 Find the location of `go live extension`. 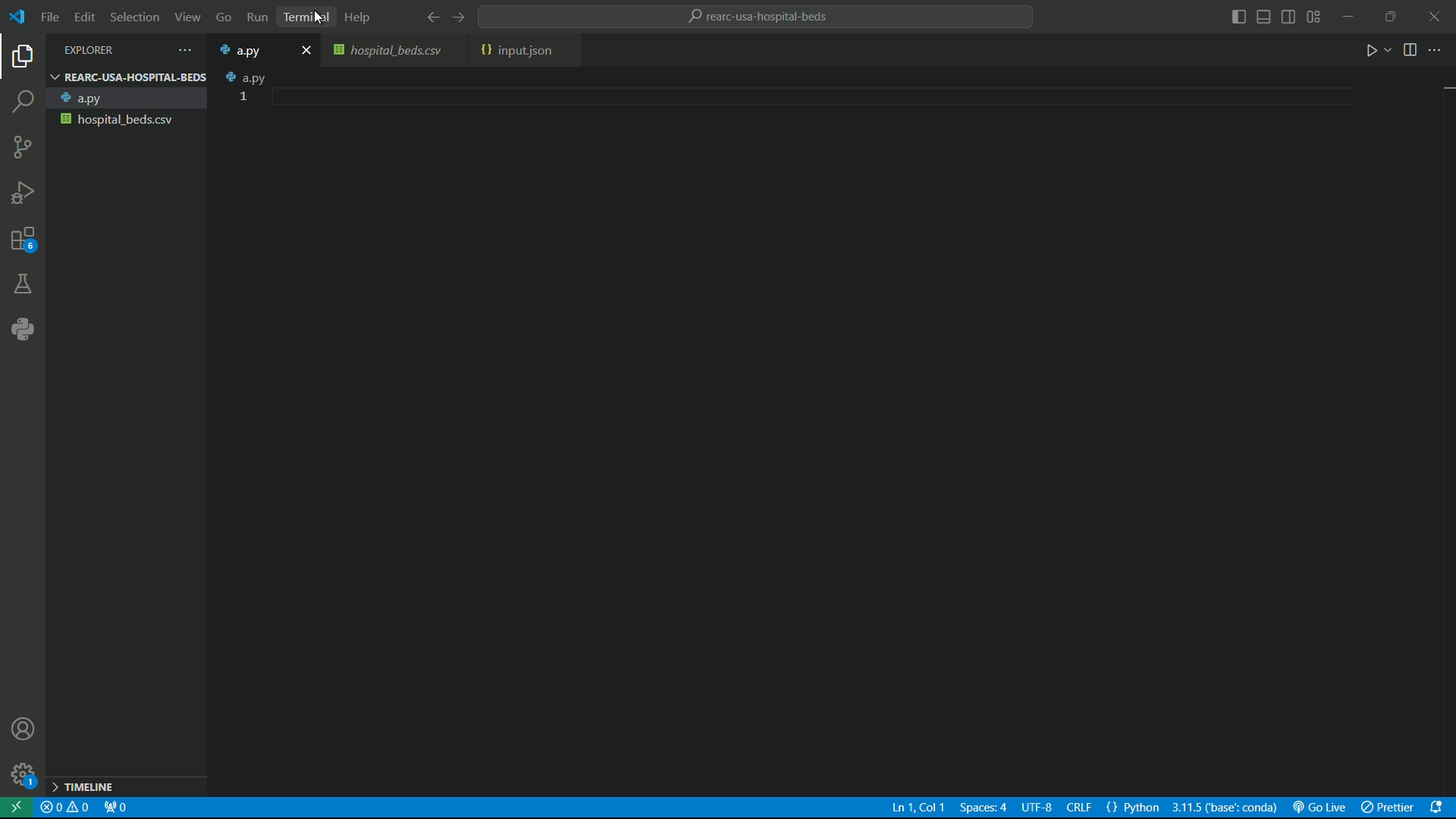

go live extension is located at coordinates (1322, 808).